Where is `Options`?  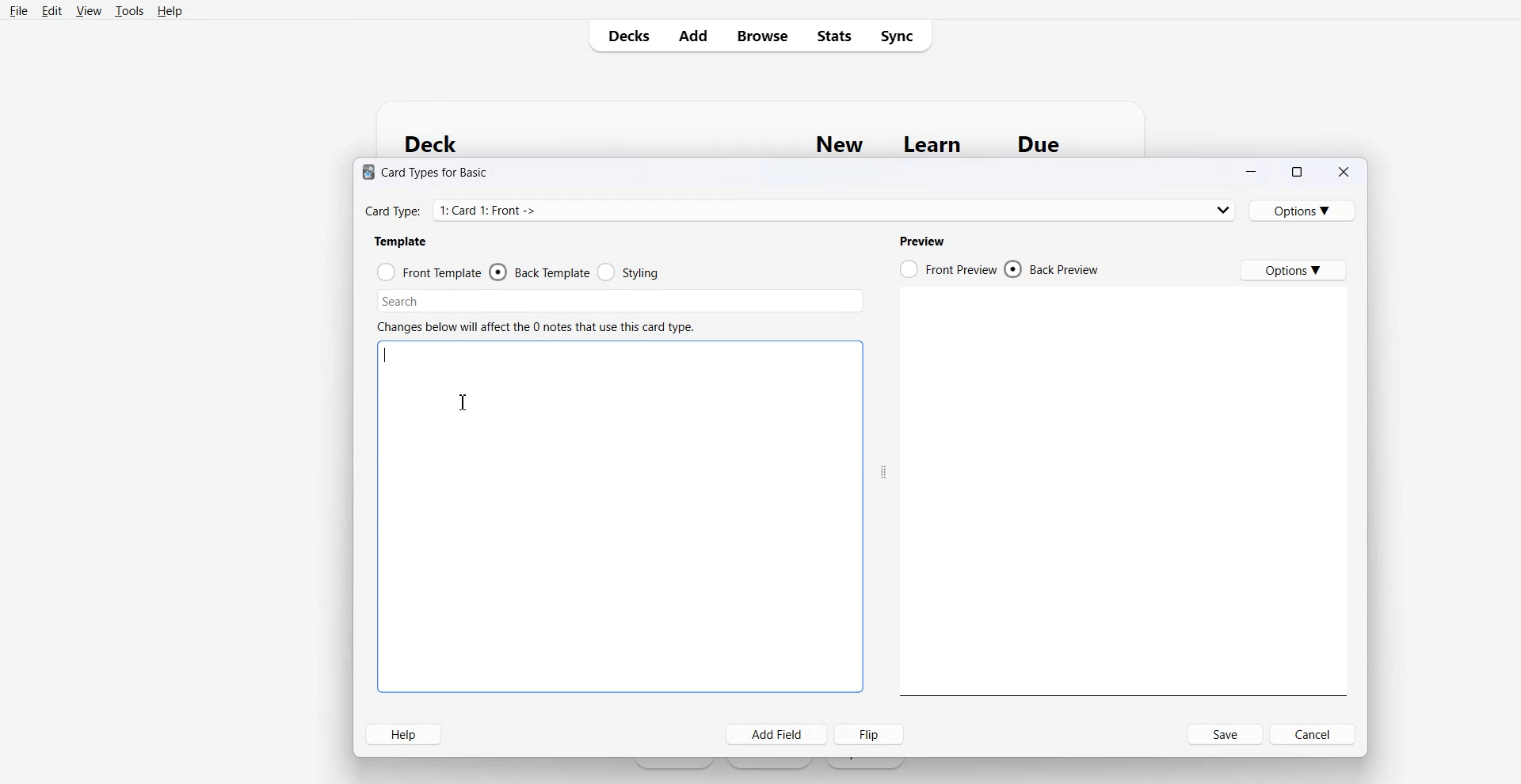
Options is located at coordinates (1302, 211).